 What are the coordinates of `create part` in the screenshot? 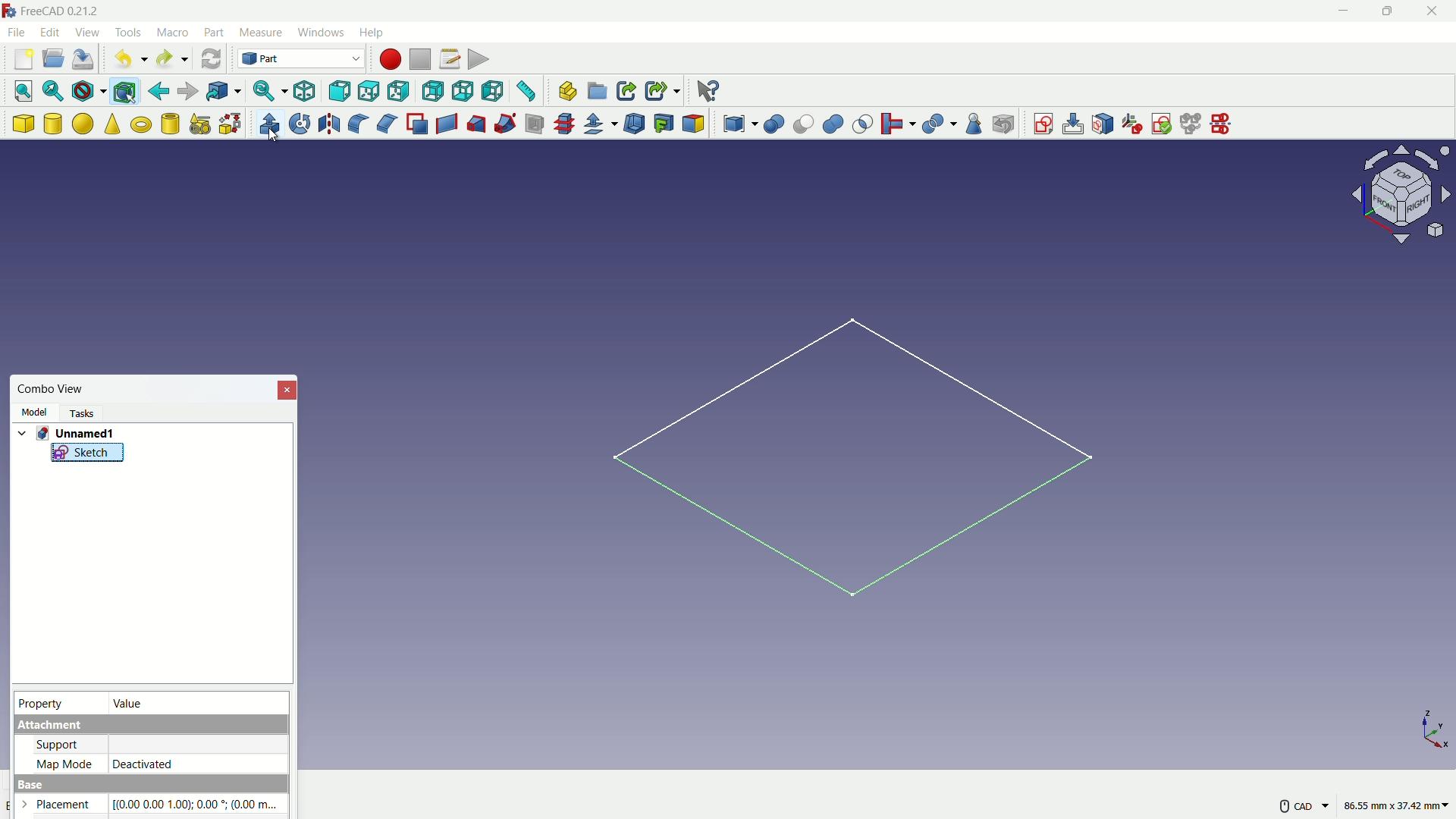 It's located at (568, 90).